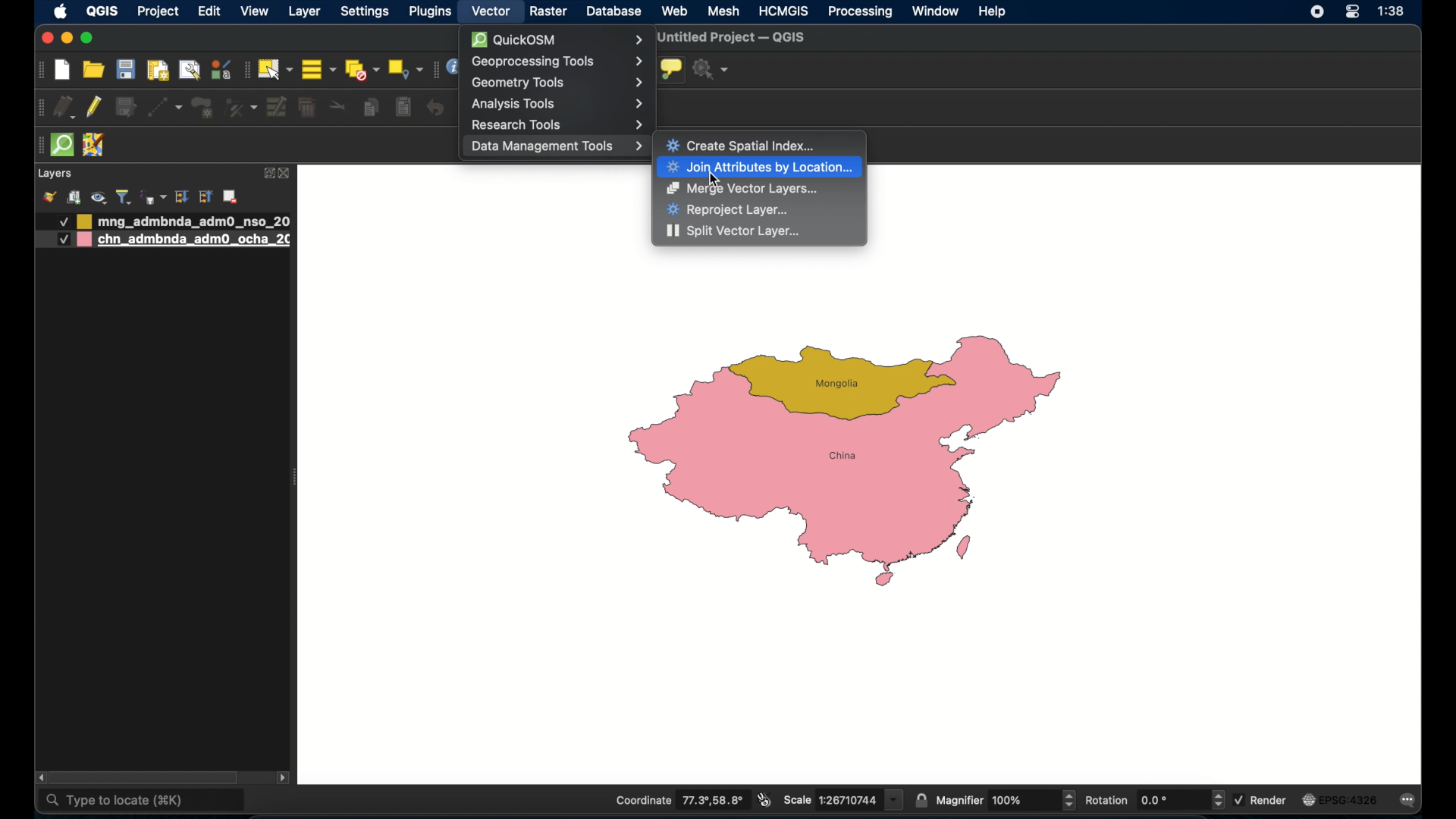 The height and width of the screenshot is (819, 1456). What do you see at coordinates (550, 12) in the screenshot?
I see `raster` at bounding box center [550, 12].